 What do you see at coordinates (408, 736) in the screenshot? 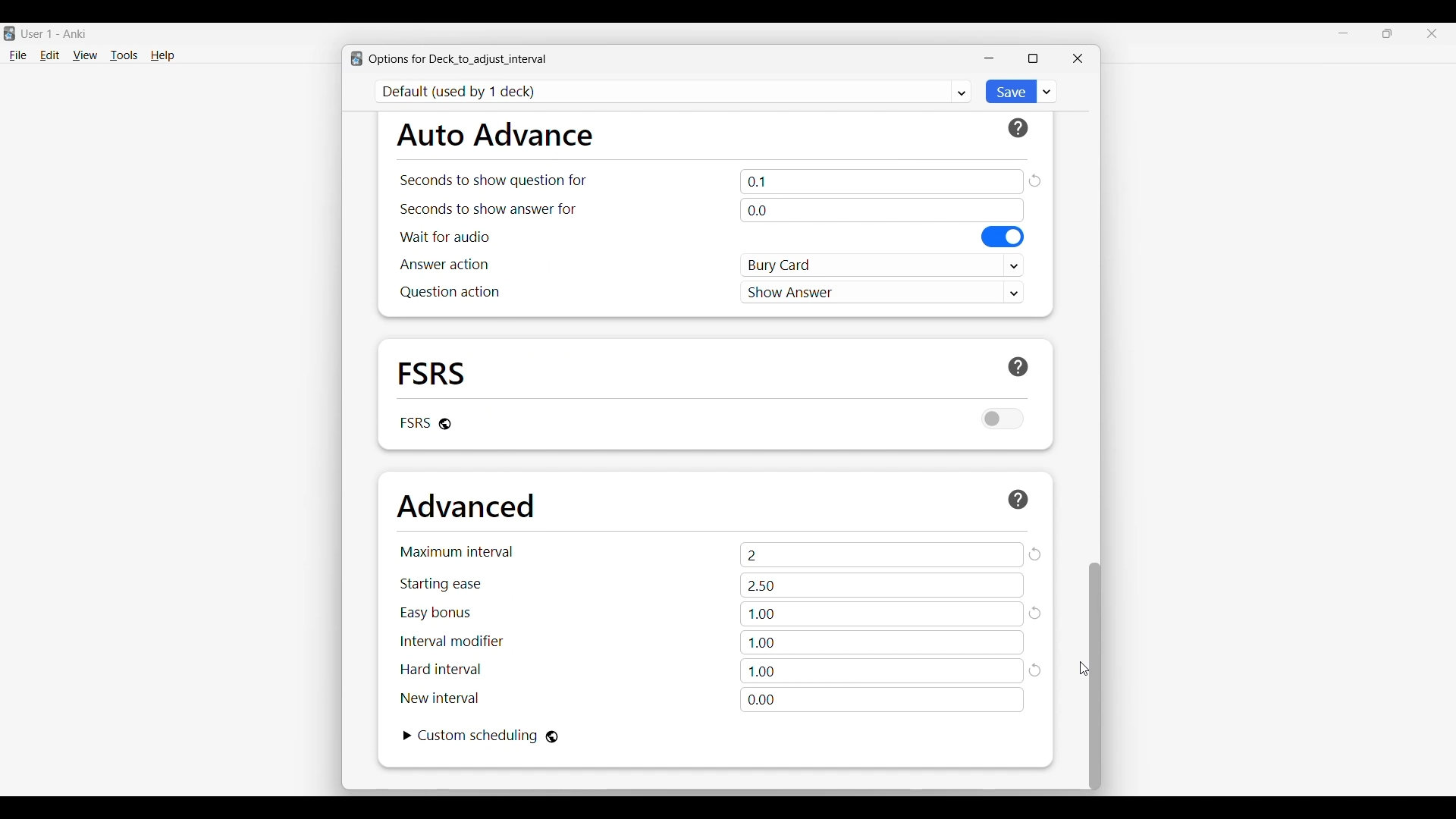
I see `Click to expand` at bounding box center [408, 736].